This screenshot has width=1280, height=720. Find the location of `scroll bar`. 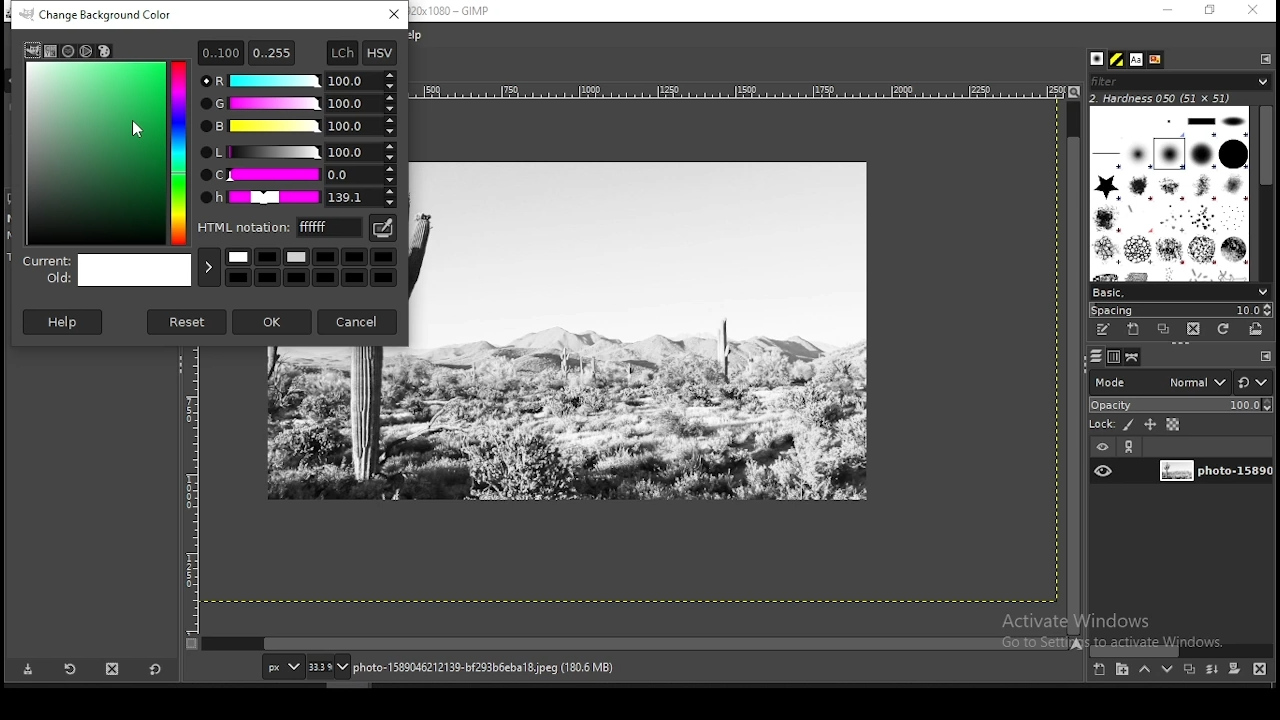

scroll bar is located at coordinates (1074, 366).